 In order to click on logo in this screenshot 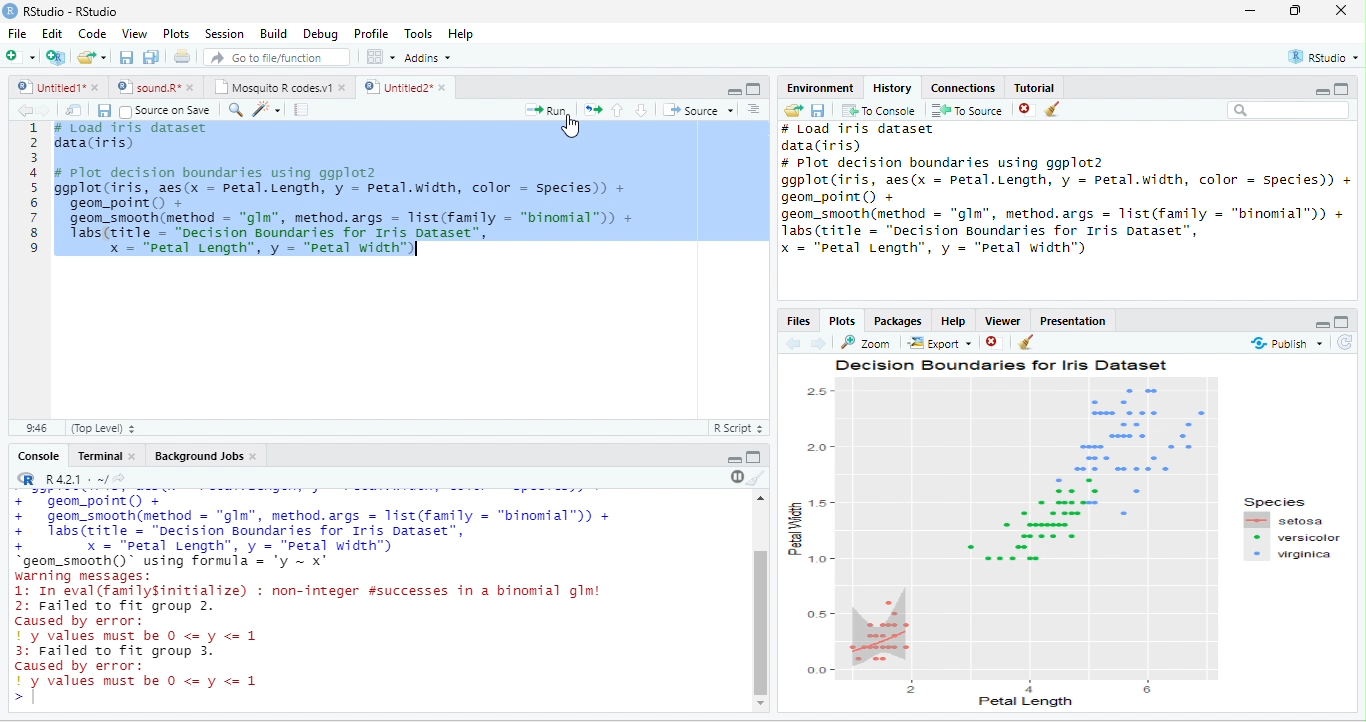, I will do `click(9, 11)`.